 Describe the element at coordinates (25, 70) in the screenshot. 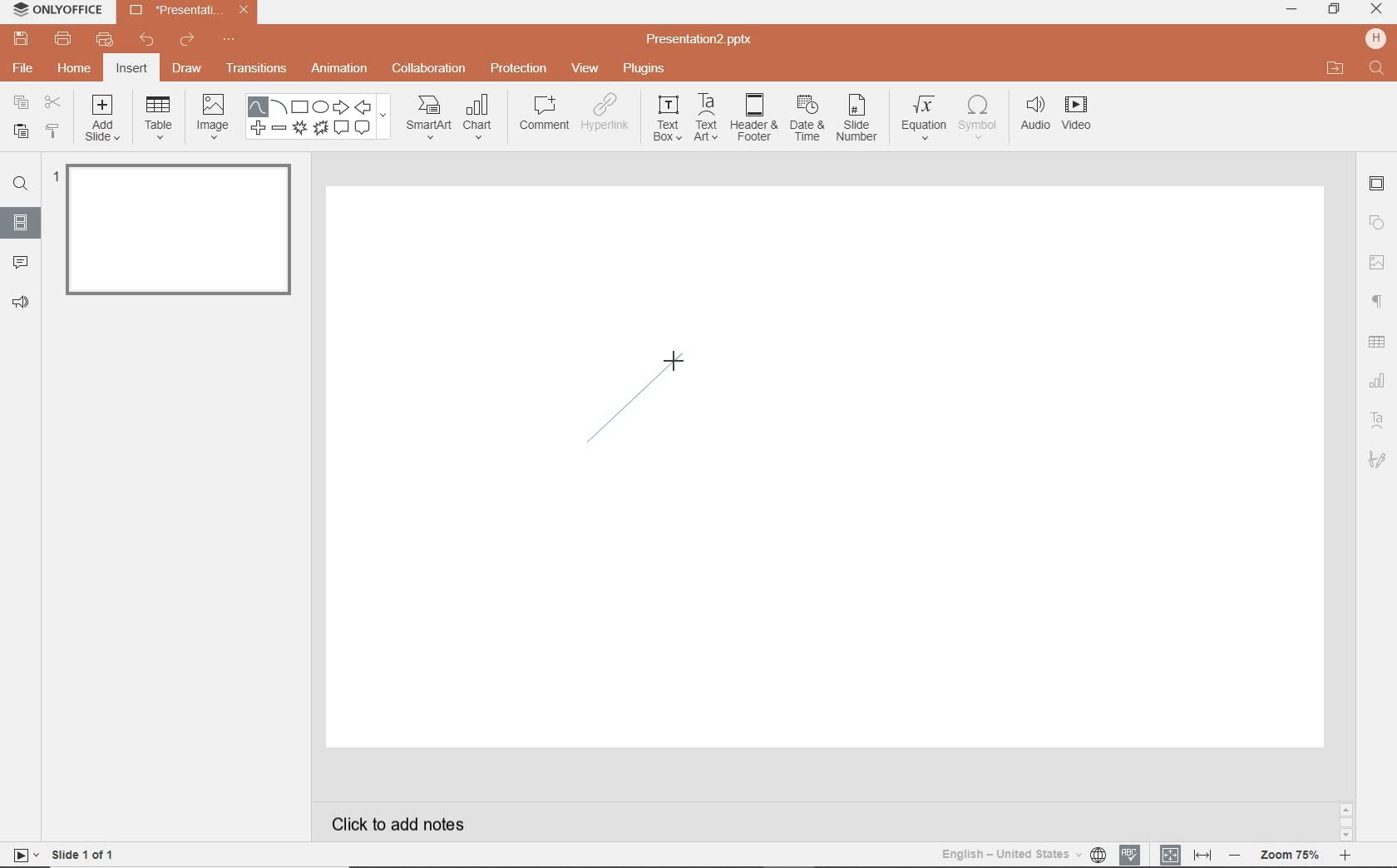

I see `FILE ` at that location.